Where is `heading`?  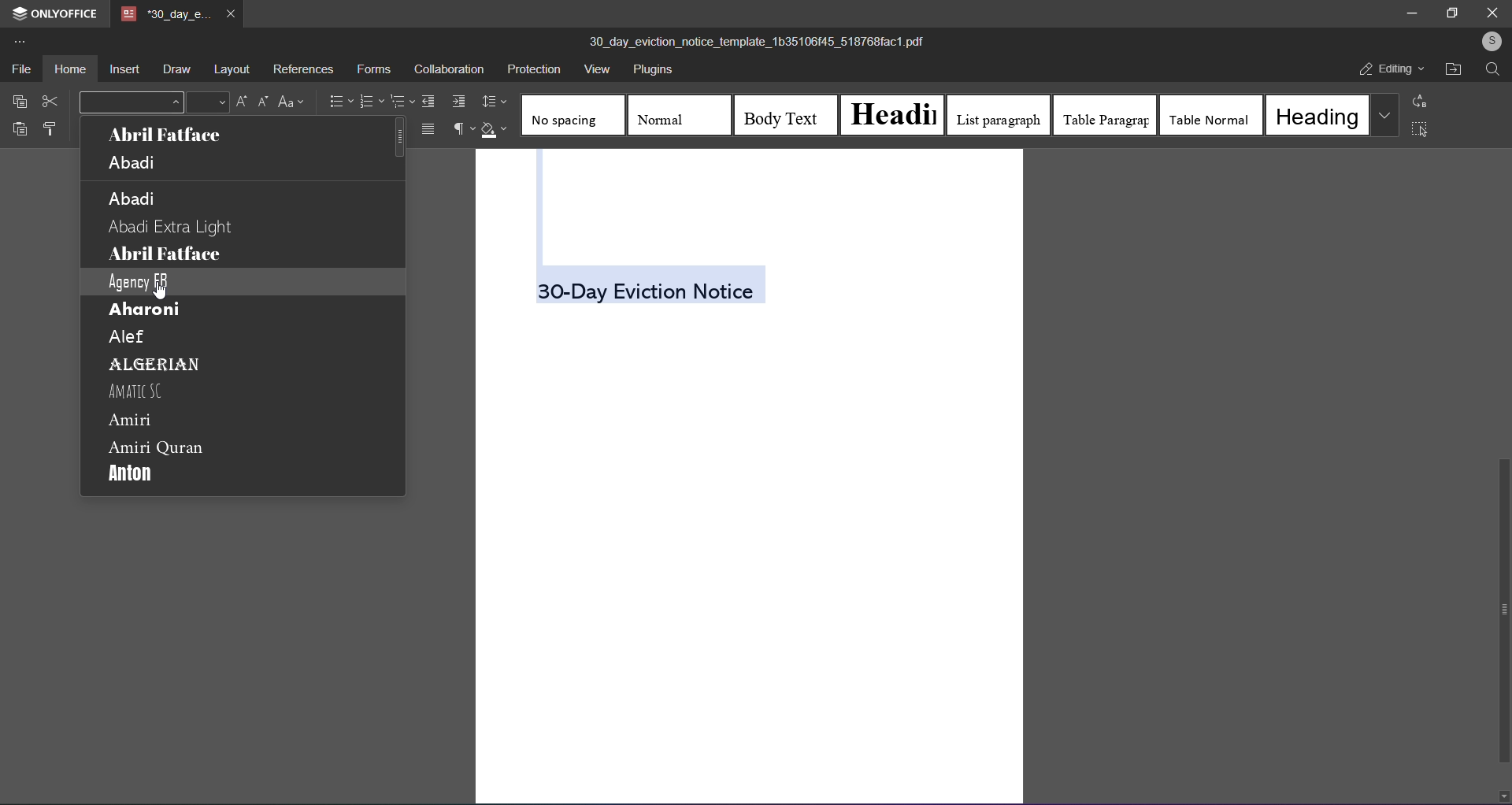
heading is located at coordinates (896, 113).